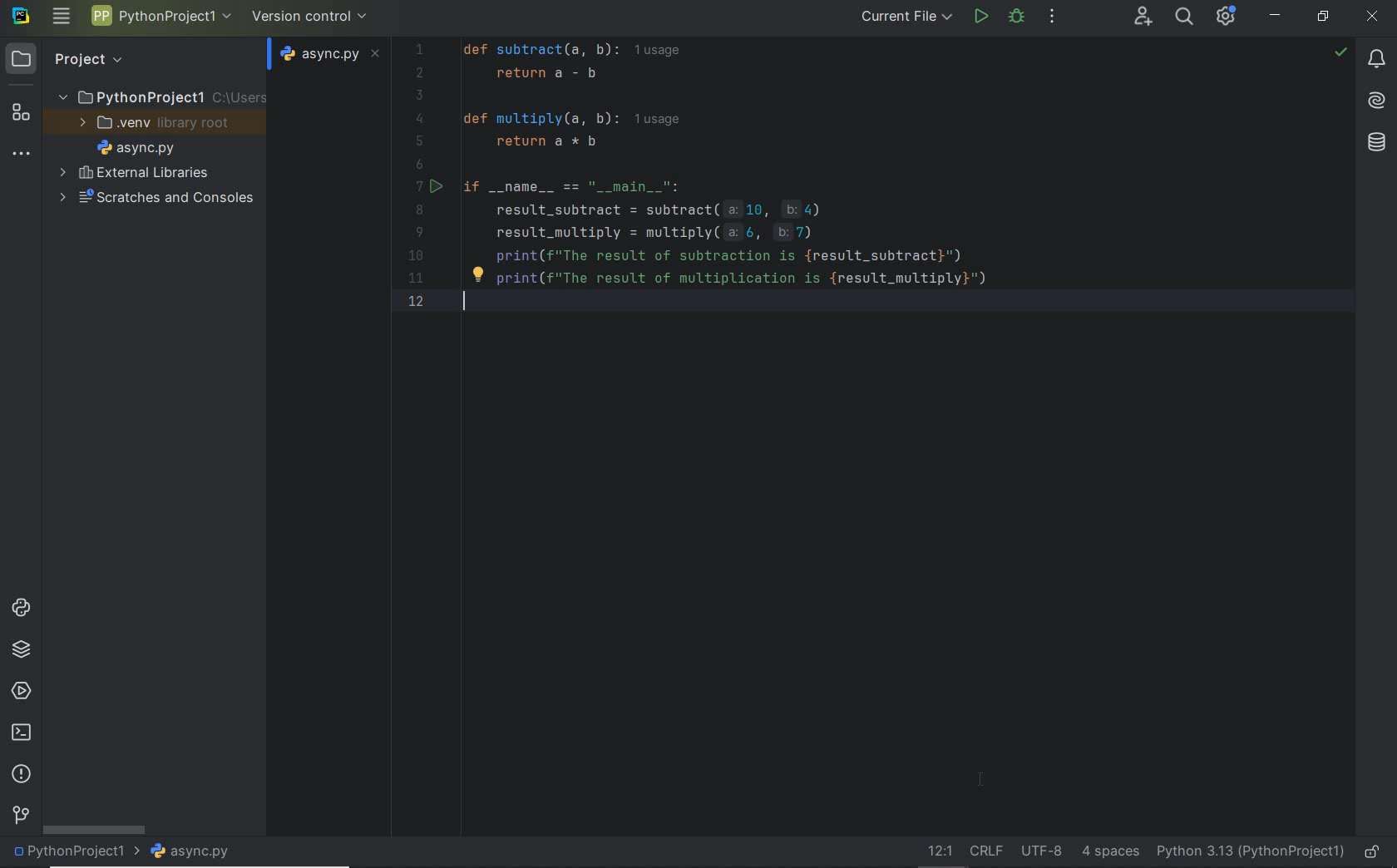 The image size is (1397, 868). What do you see at coordinates (1183, 19) in the screenshot?
I see `Search Everywhere` at bounding box center [1183, 19].